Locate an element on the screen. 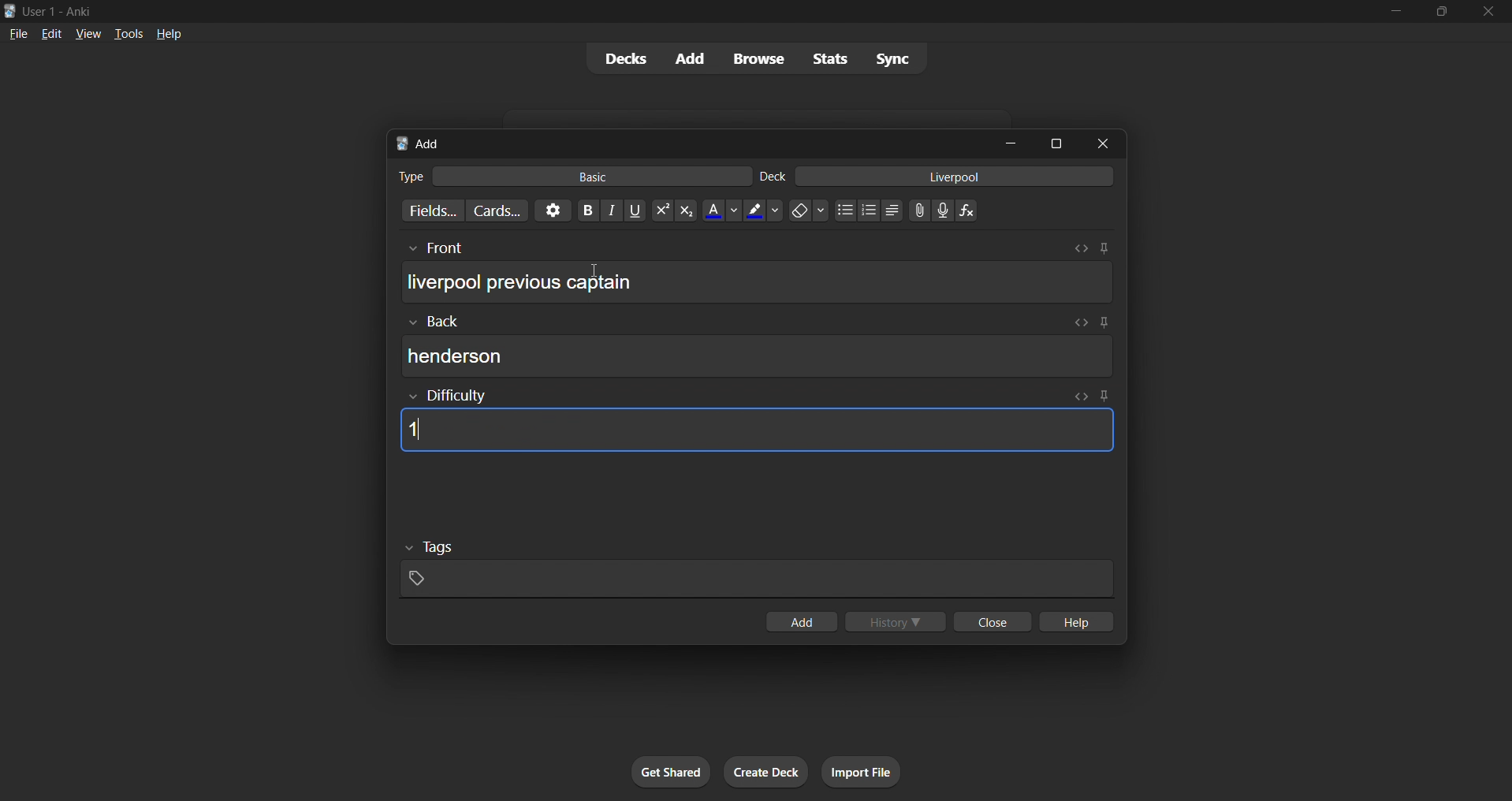  link is located at coordinates (918, 212).